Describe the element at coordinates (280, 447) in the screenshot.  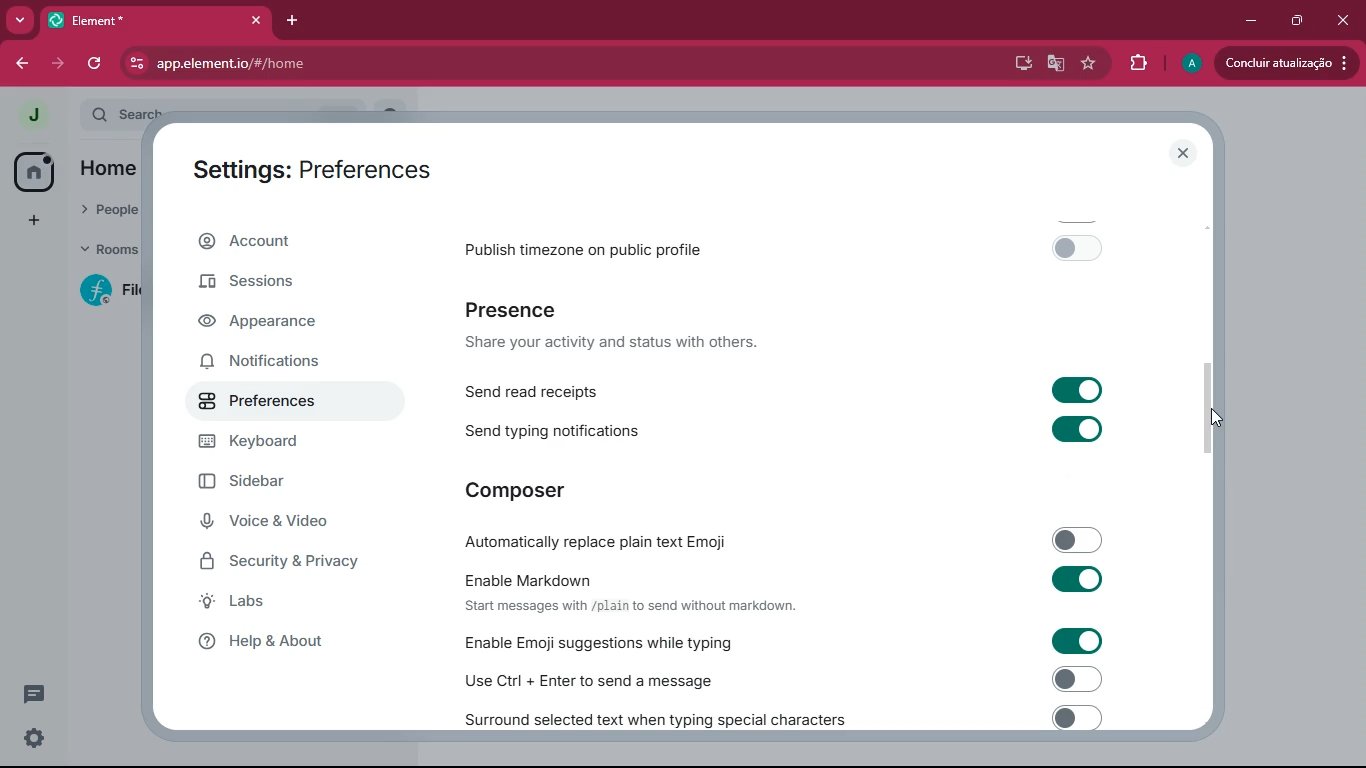
I see `keyboard` at that location.